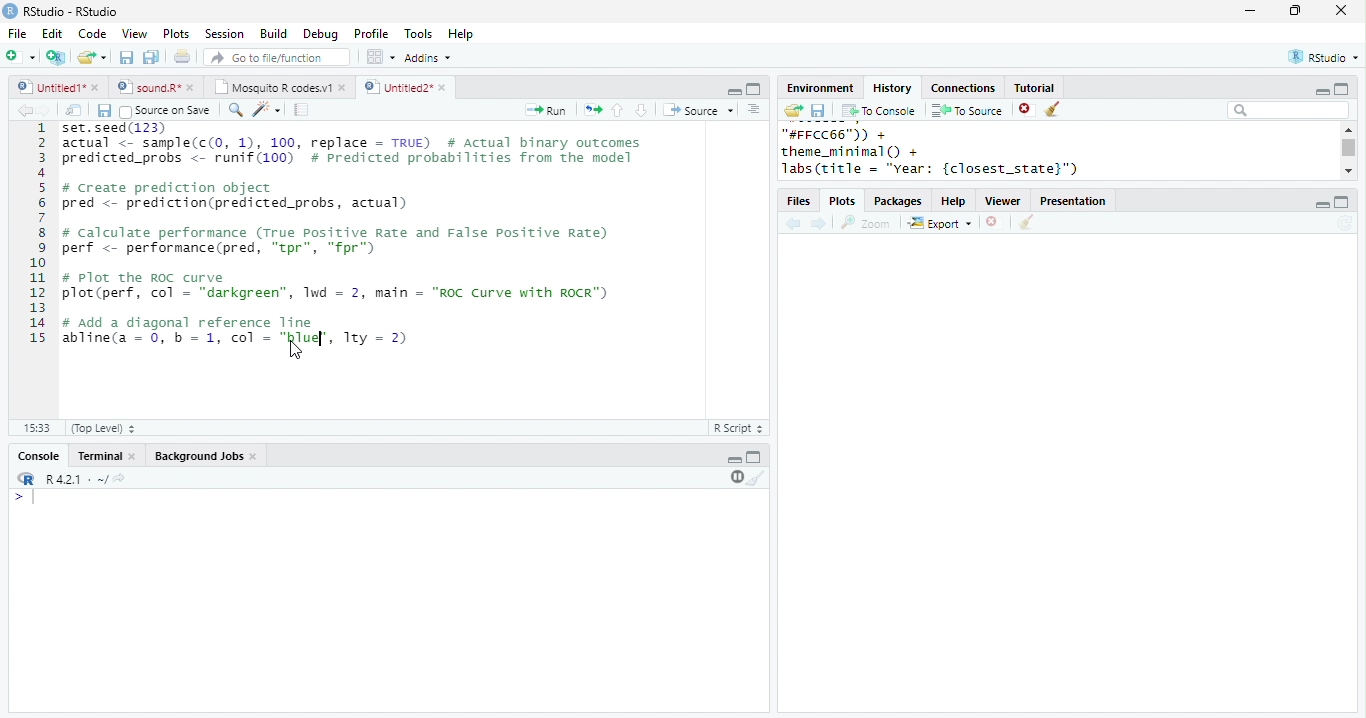 The image size is (1366, 718). I want to click on save, so click(818, 111).